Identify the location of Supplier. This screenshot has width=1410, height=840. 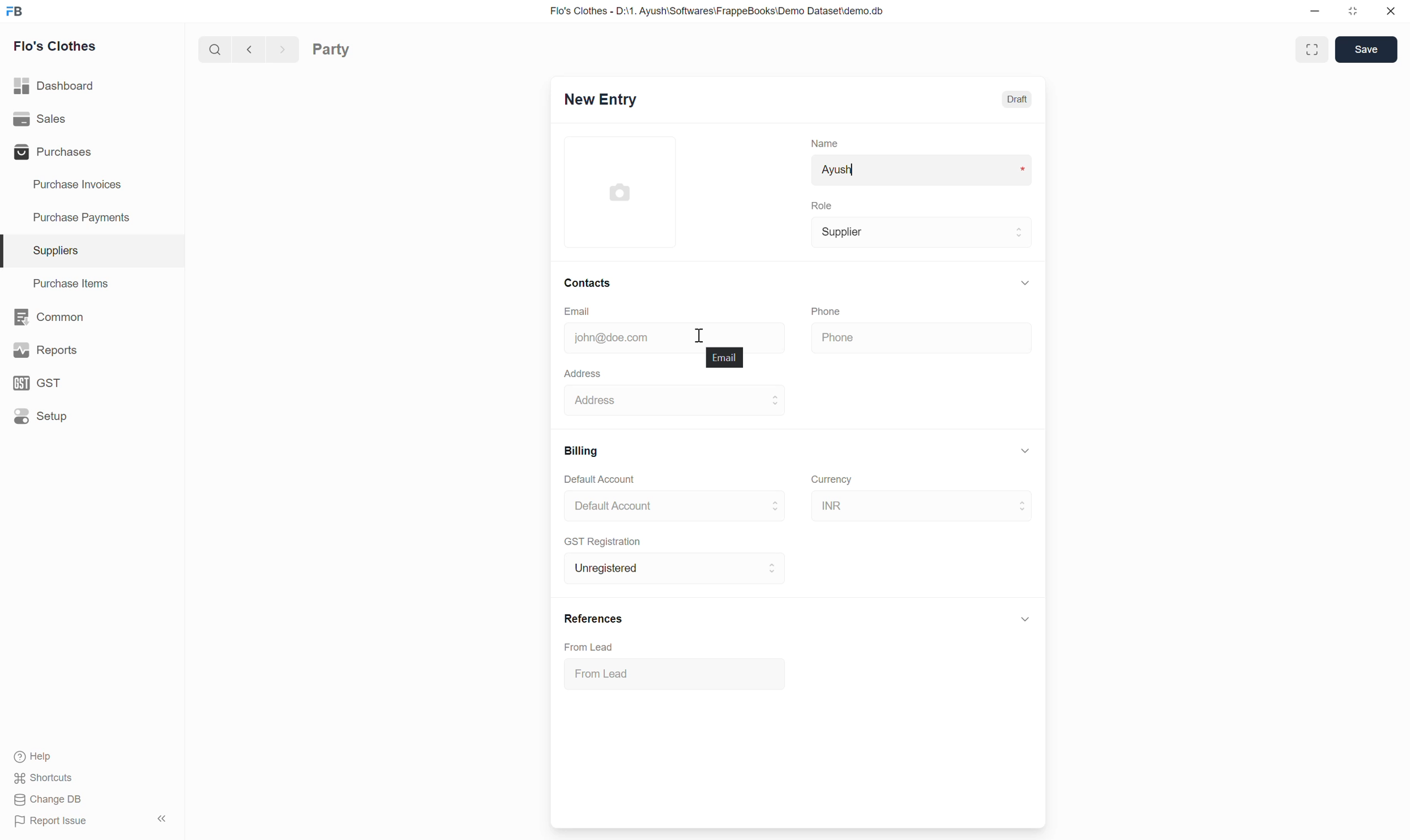
(921, 232).